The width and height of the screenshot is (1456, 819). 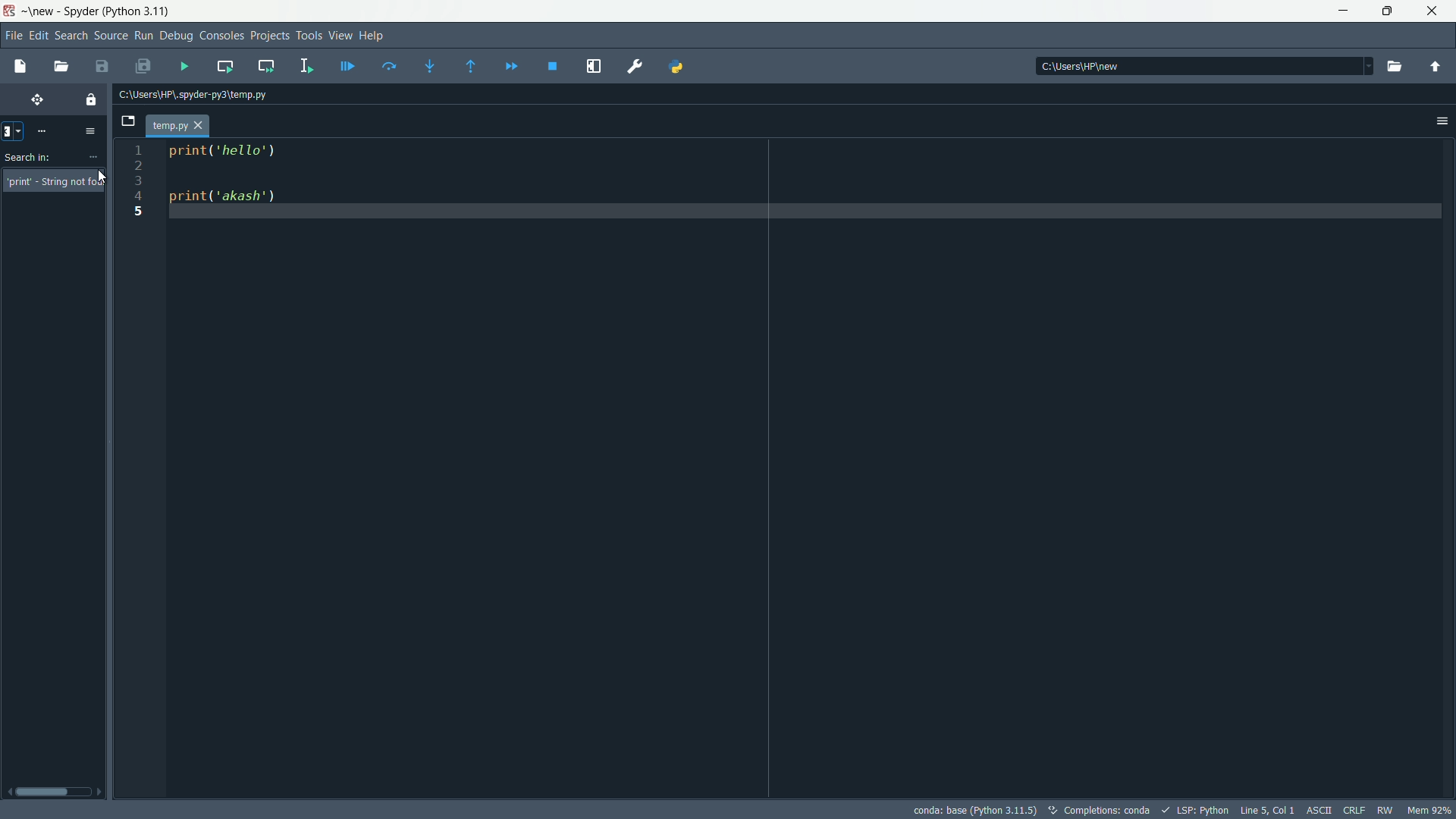 I want to click on parent directory, so click(x=1432, y=67).